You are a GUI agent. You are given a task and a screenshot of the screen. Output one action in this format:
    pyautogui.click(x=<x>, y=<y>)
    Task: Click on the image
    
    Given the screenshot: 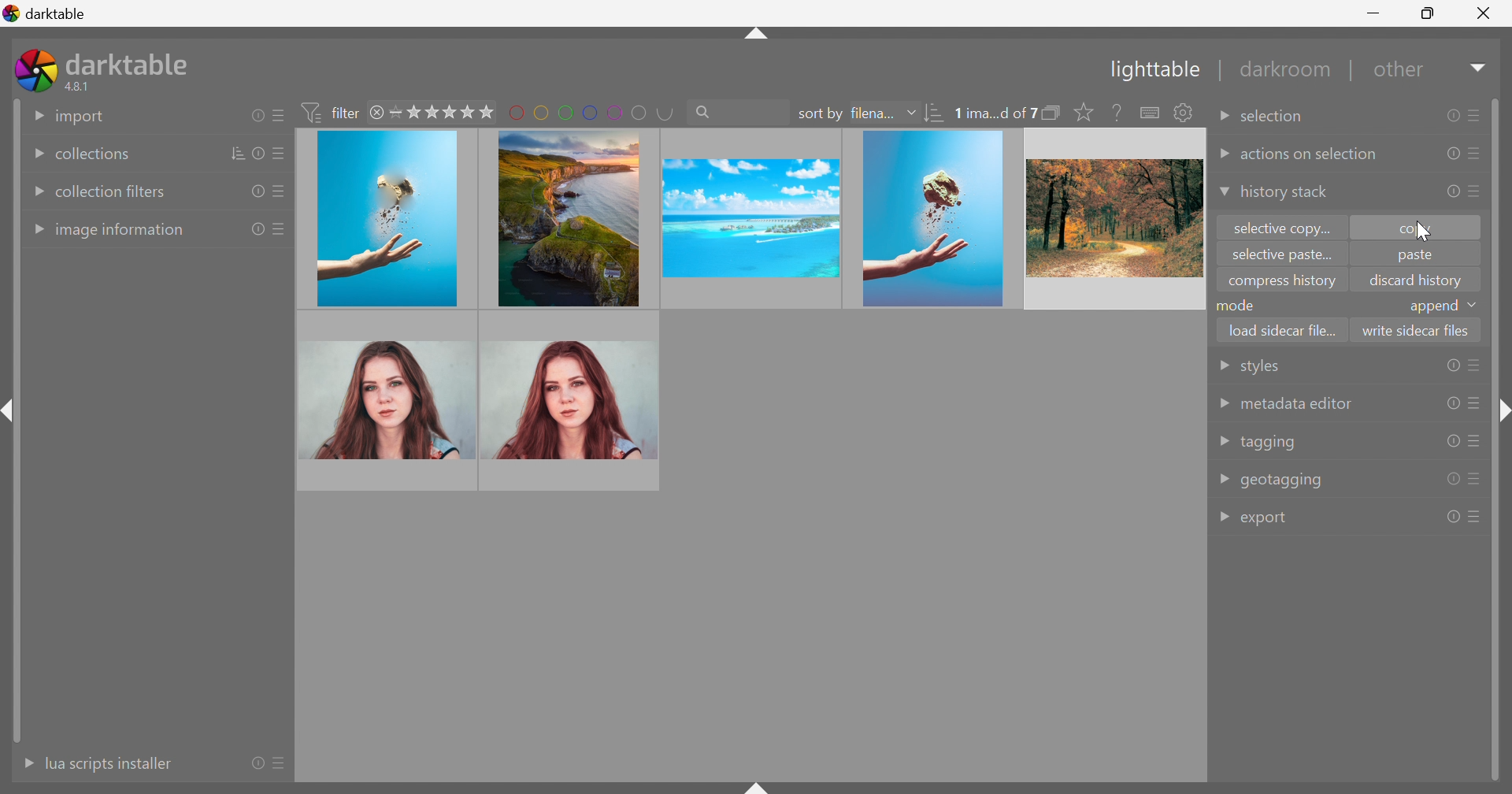 What is the action you would take?
    pyautogui.click(x=388, y=400)
    